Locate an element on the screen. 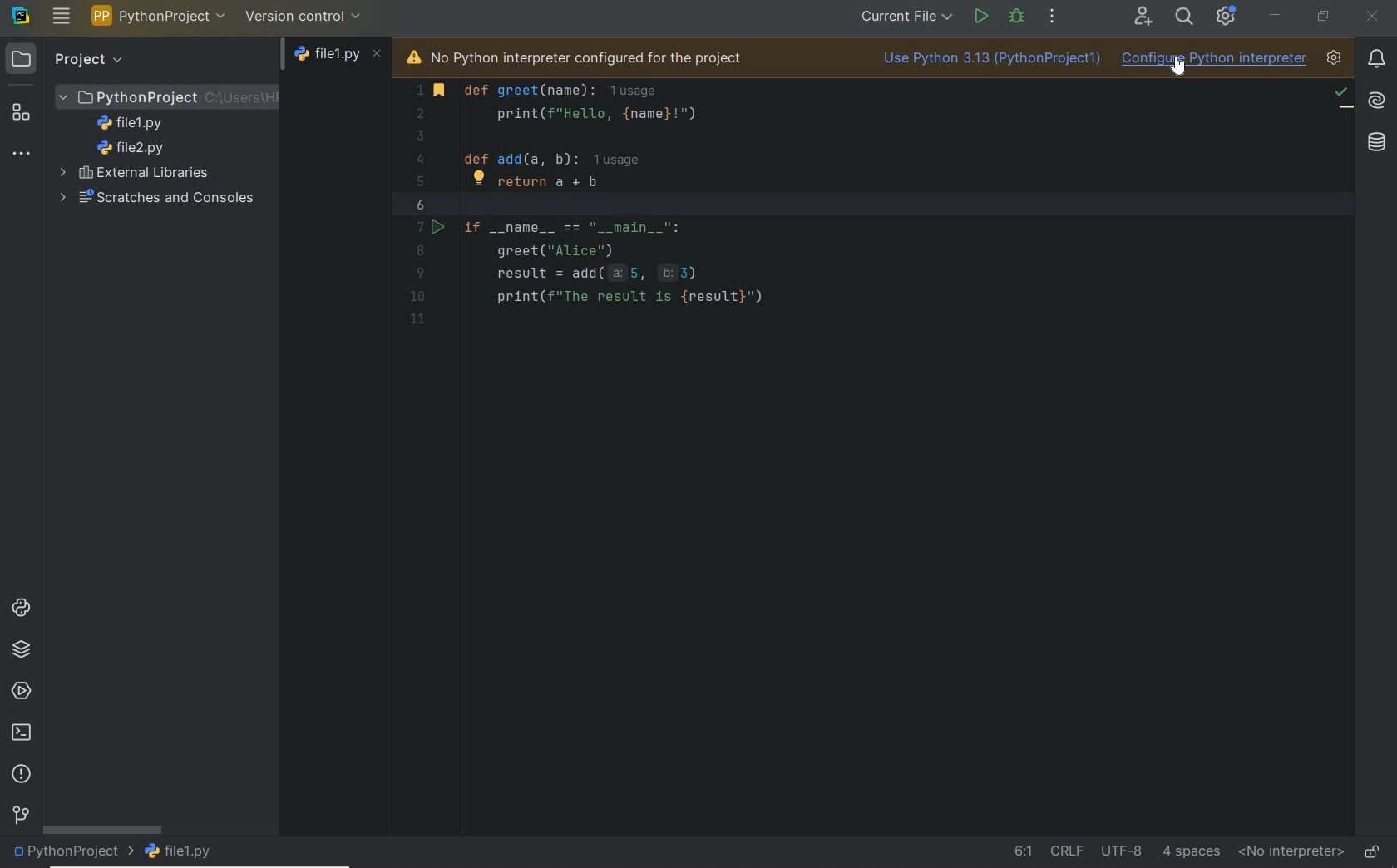  terminal is located at coordinates (22, 733).